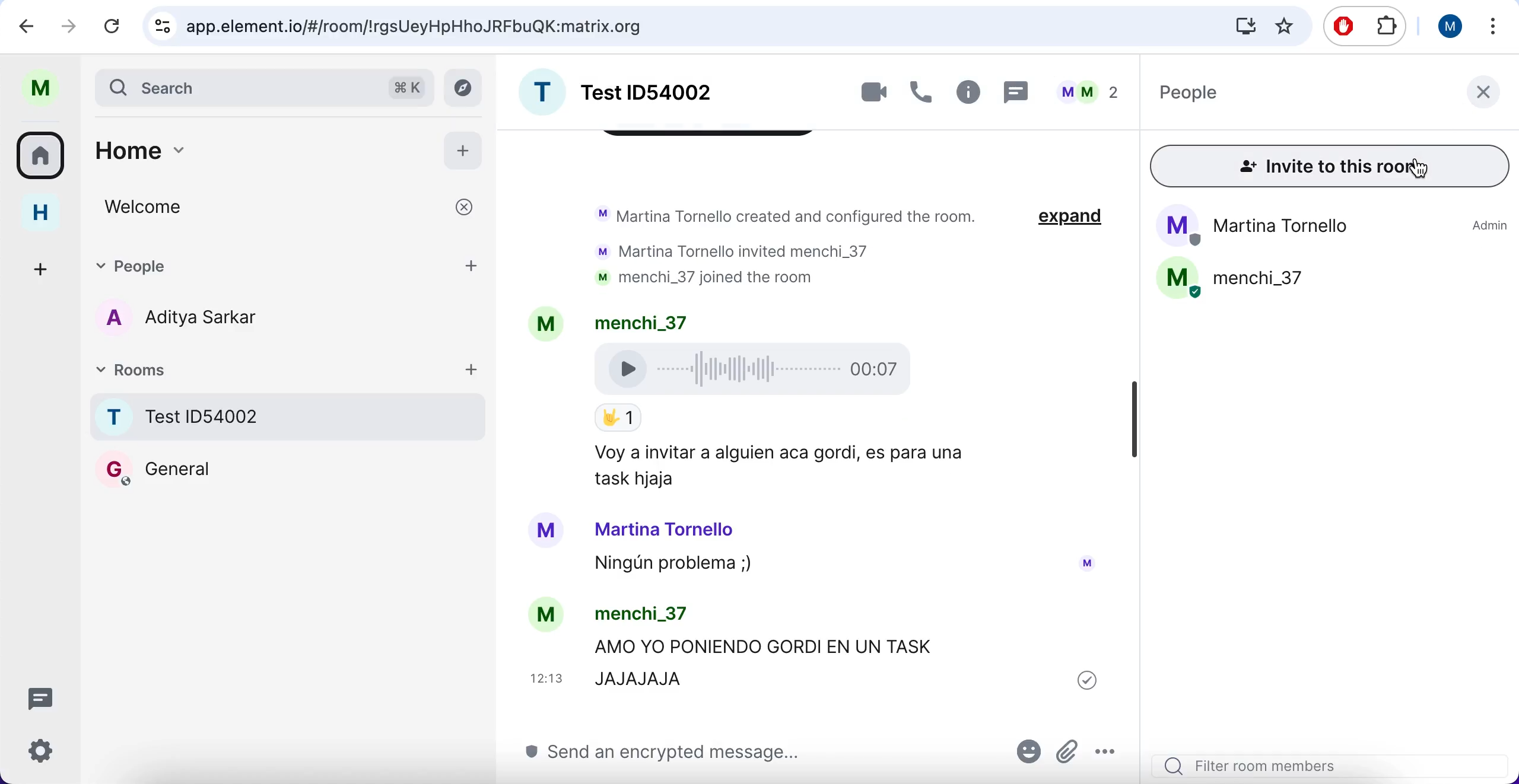 This screenshot has height=784, width=1519. Describe the element at coordinates (41, 213) in the screenshot. I see `home` at that location.